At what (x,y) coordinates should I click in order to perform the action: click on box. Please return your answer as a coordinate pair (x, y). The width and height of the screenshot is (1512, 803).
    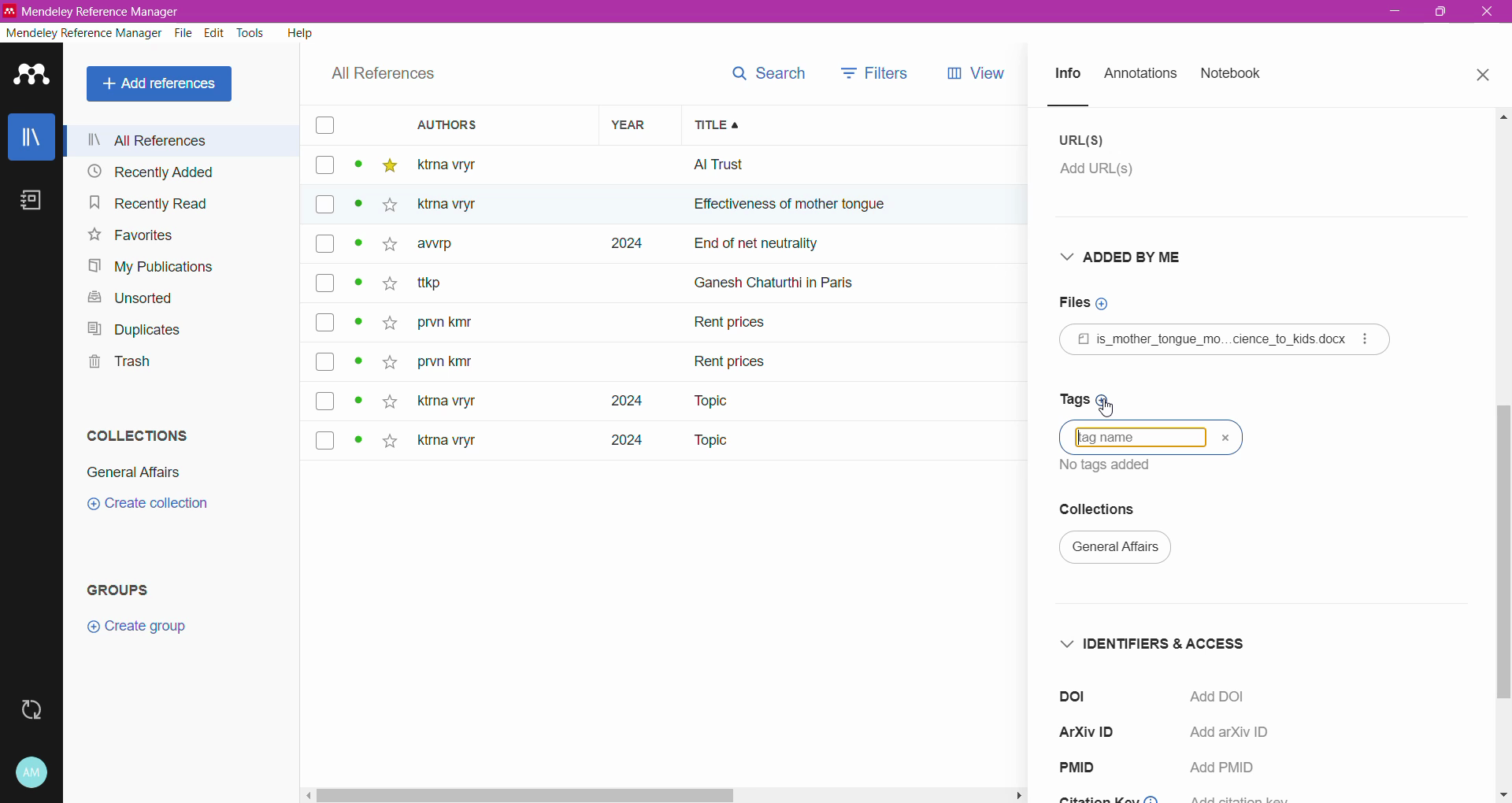
    Looking at the image, I should click on (325, 439).